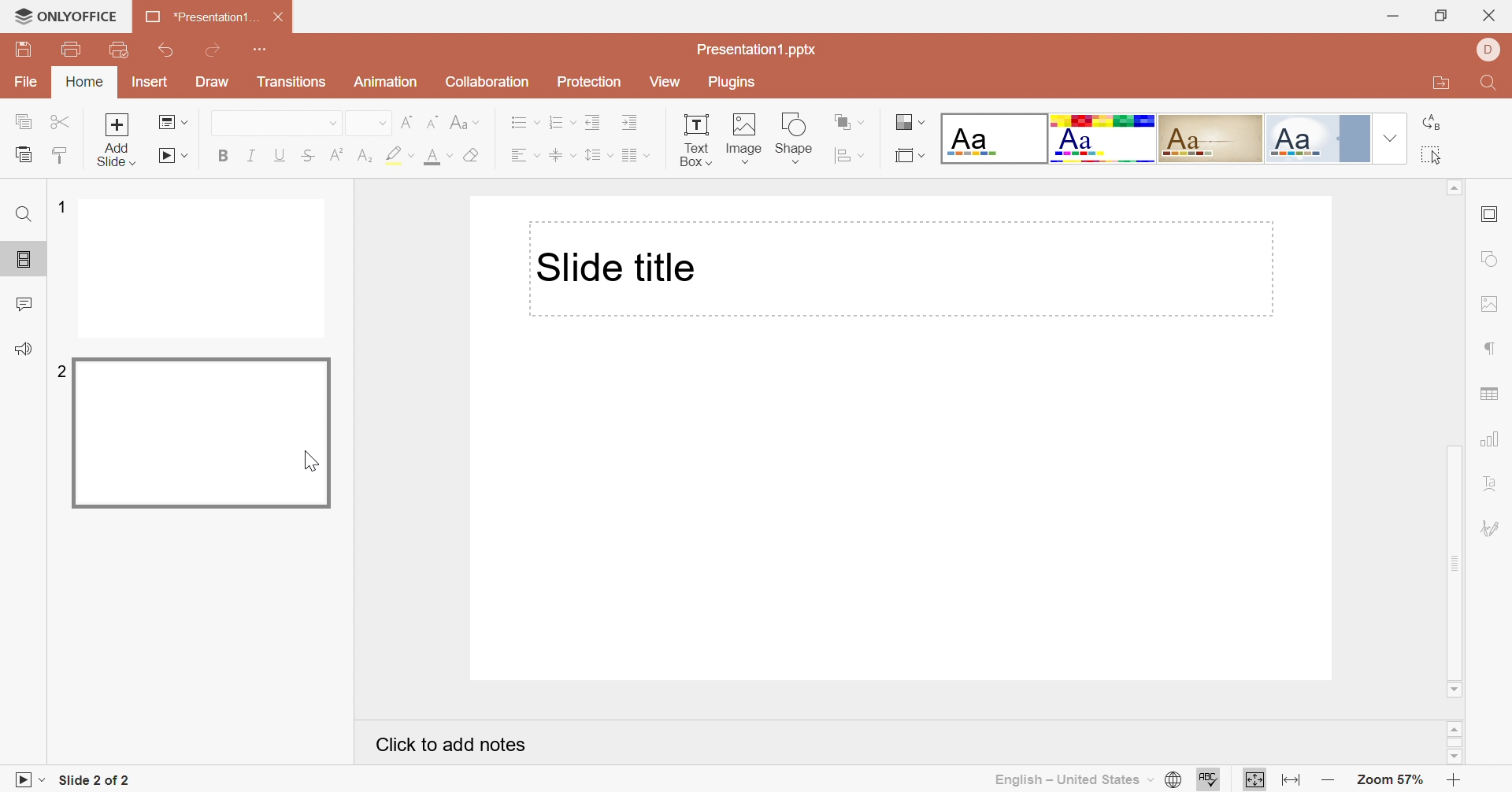 The image size is (1512, 792). Describe the element at coordinates (119, 49) in the screenshot. I see `Quick Print` at that location.